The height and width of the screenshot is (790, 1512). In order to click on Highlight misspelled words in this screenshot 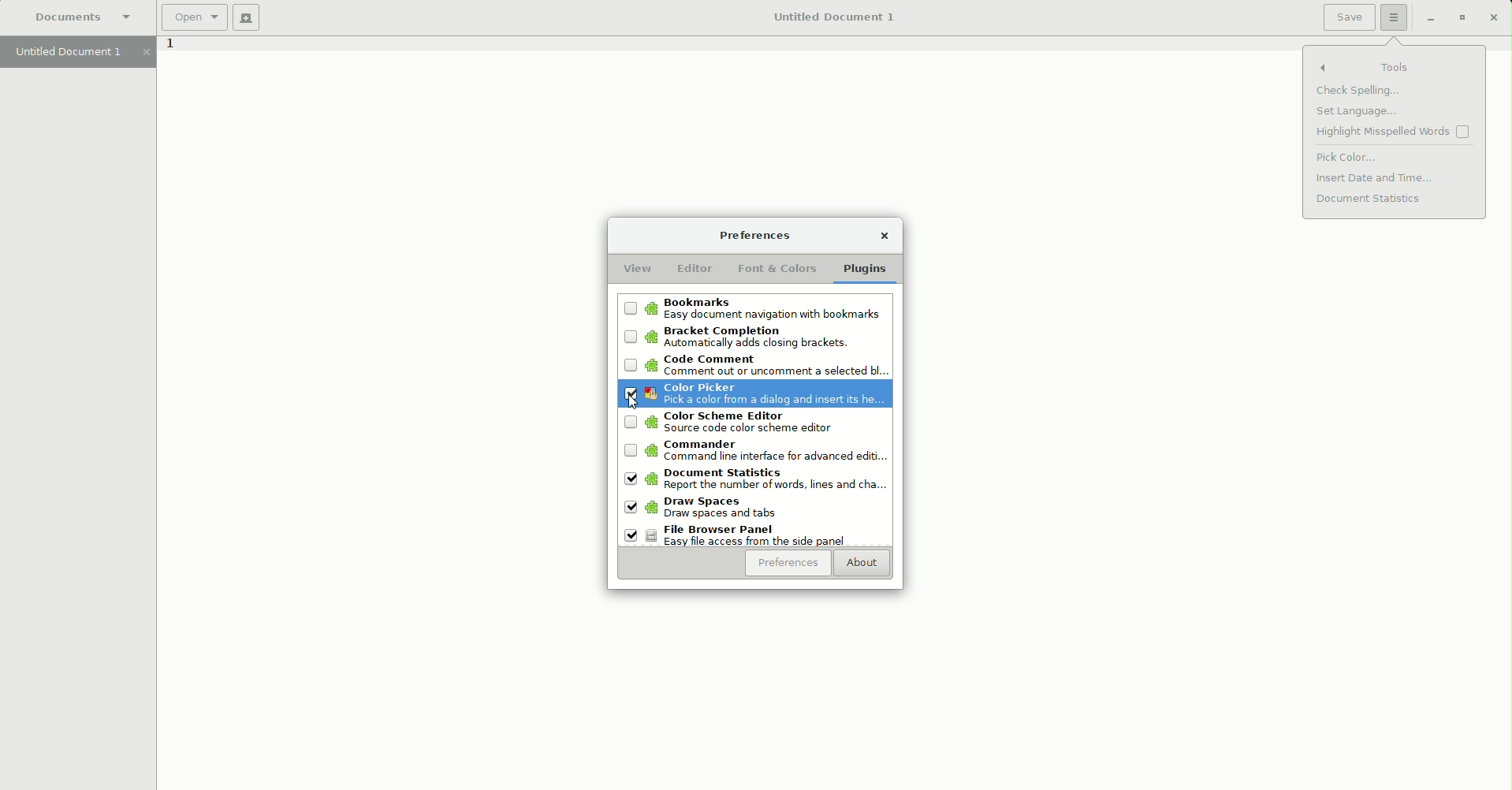, I will do `click(1395, 133)`.